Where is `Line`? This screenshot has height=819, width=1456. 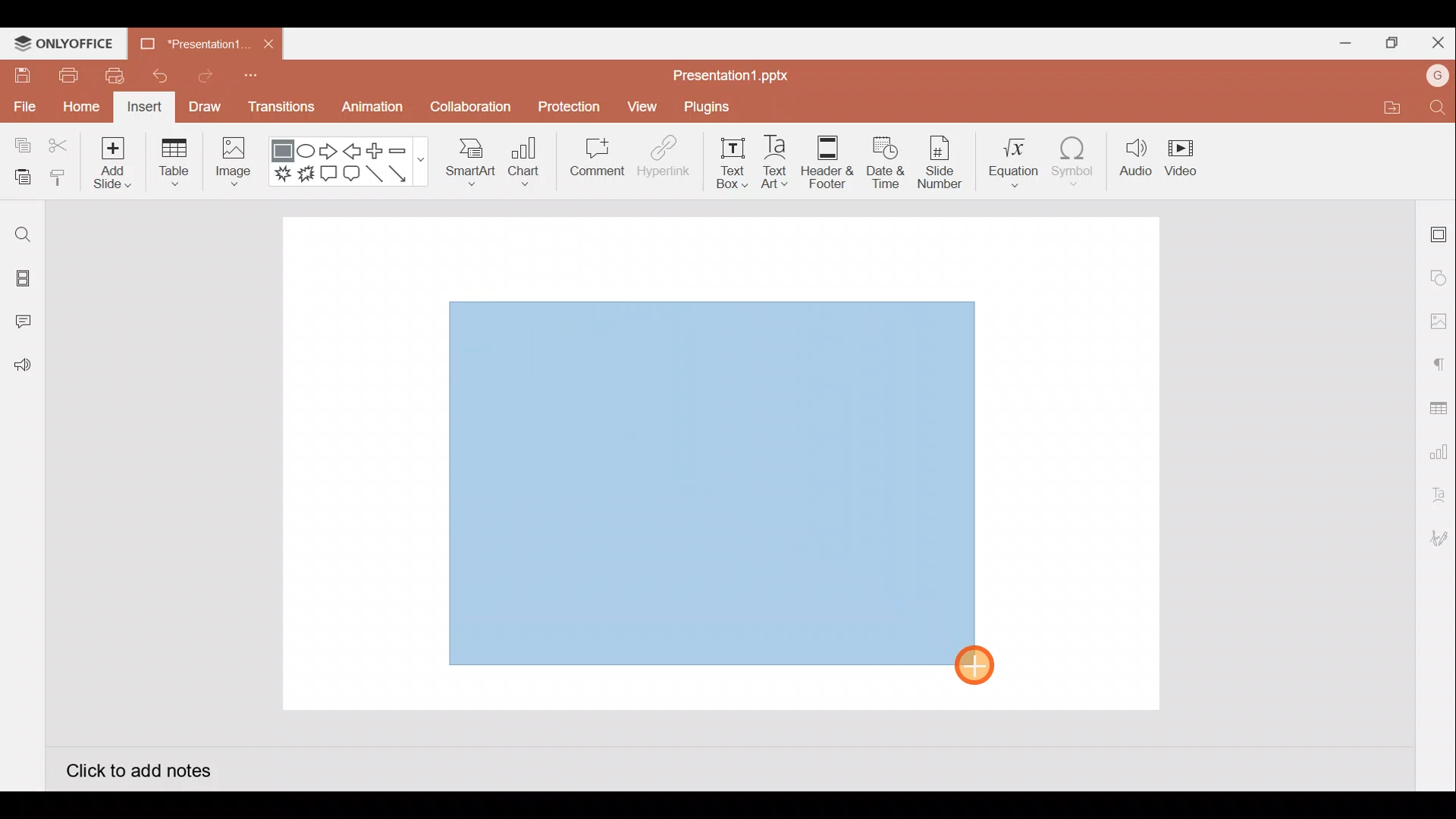
Line is located at coordinates (375, 174).